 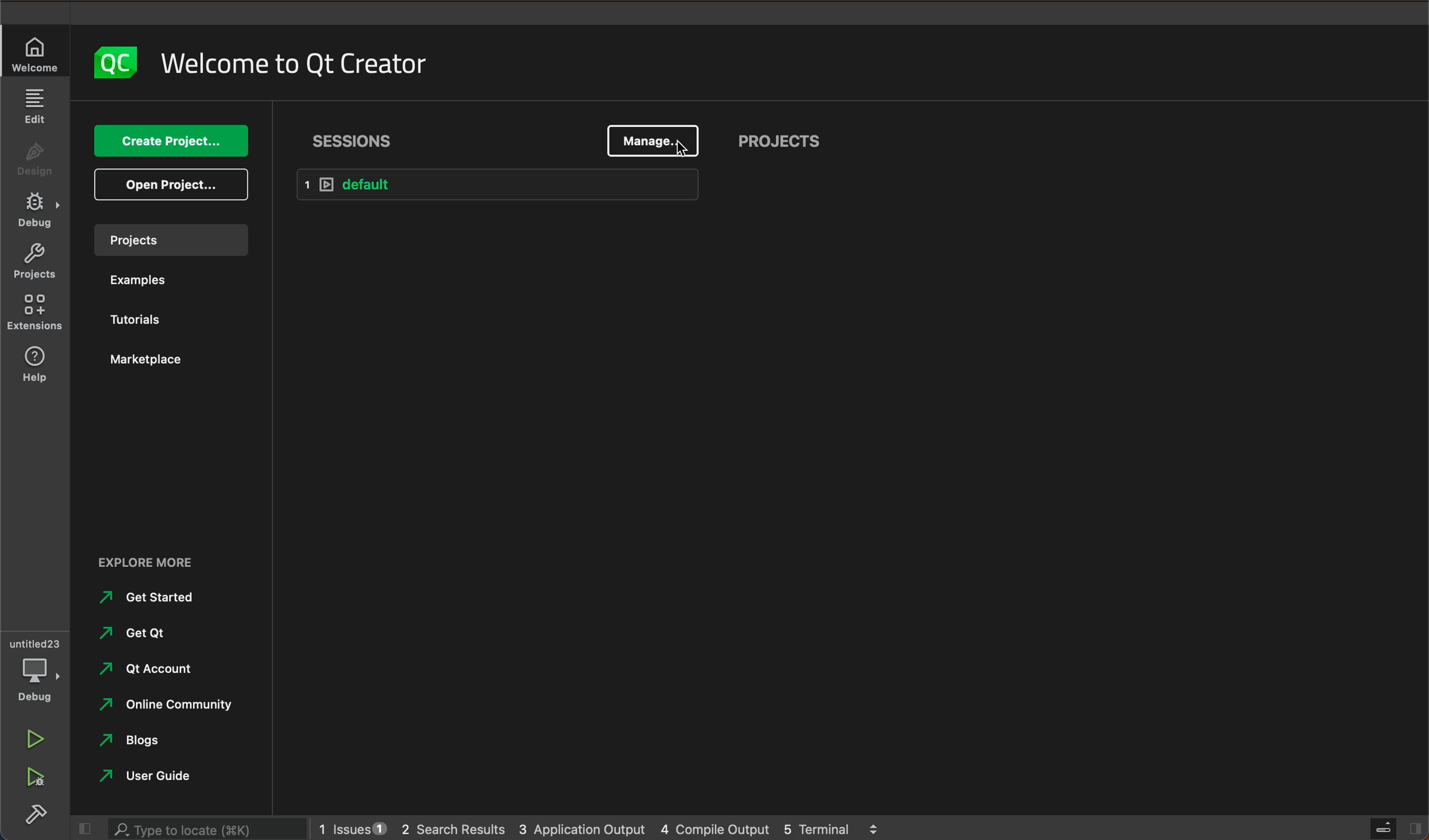 I want to click on explore more, so click(x=168, y=554).